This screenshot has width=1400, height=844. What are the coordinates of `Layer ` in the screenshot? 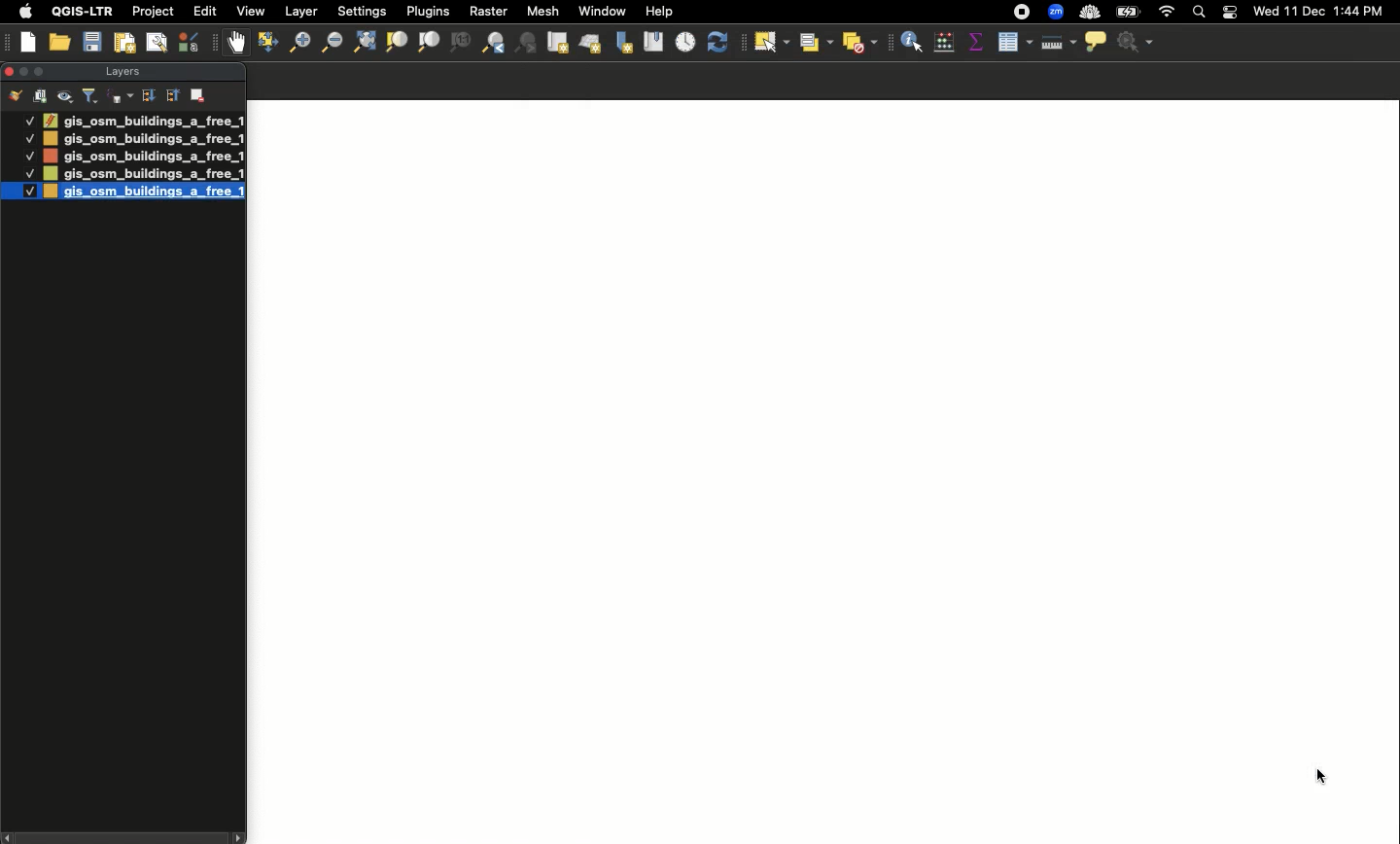 It's located at (121, 73).